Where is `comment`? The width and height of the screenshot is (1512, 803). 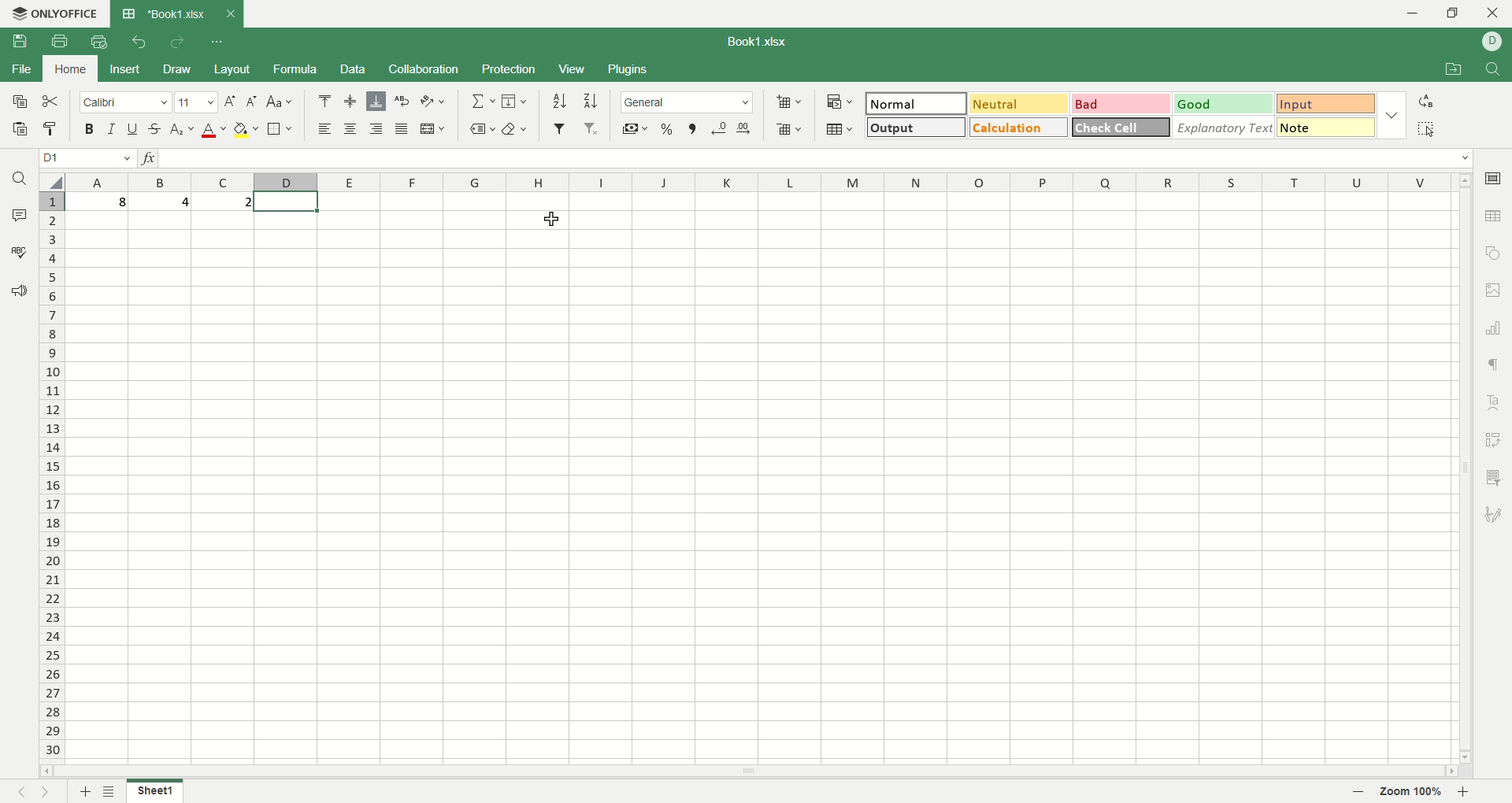
comment is located at coordinates (17, 213).